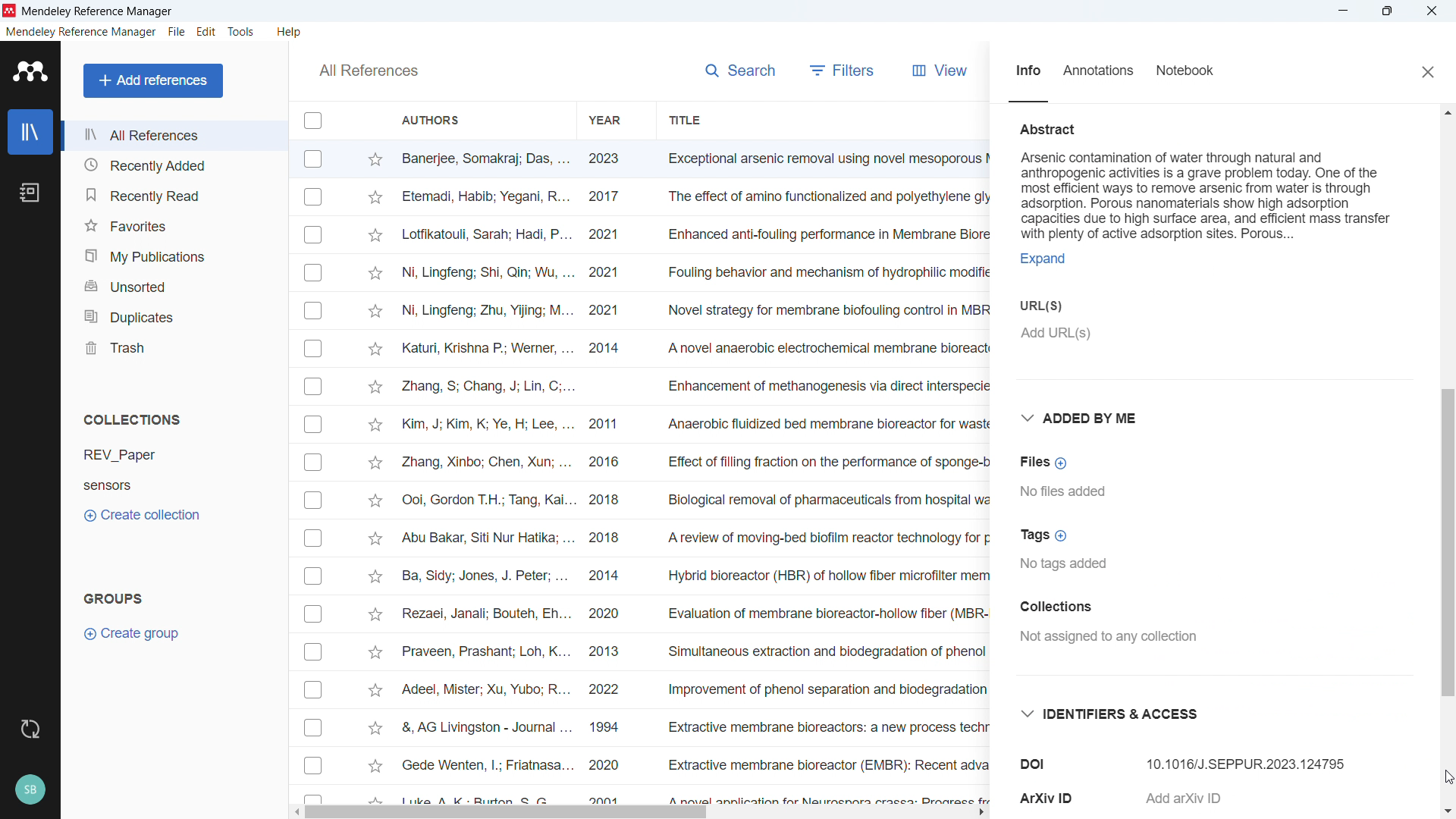 The image size is (1456, 819). Describe the element at coordinates (826, 234) in the screenshot. I see `enhanced anti fouling performance in membrane bioreactors using novel ` at that location.